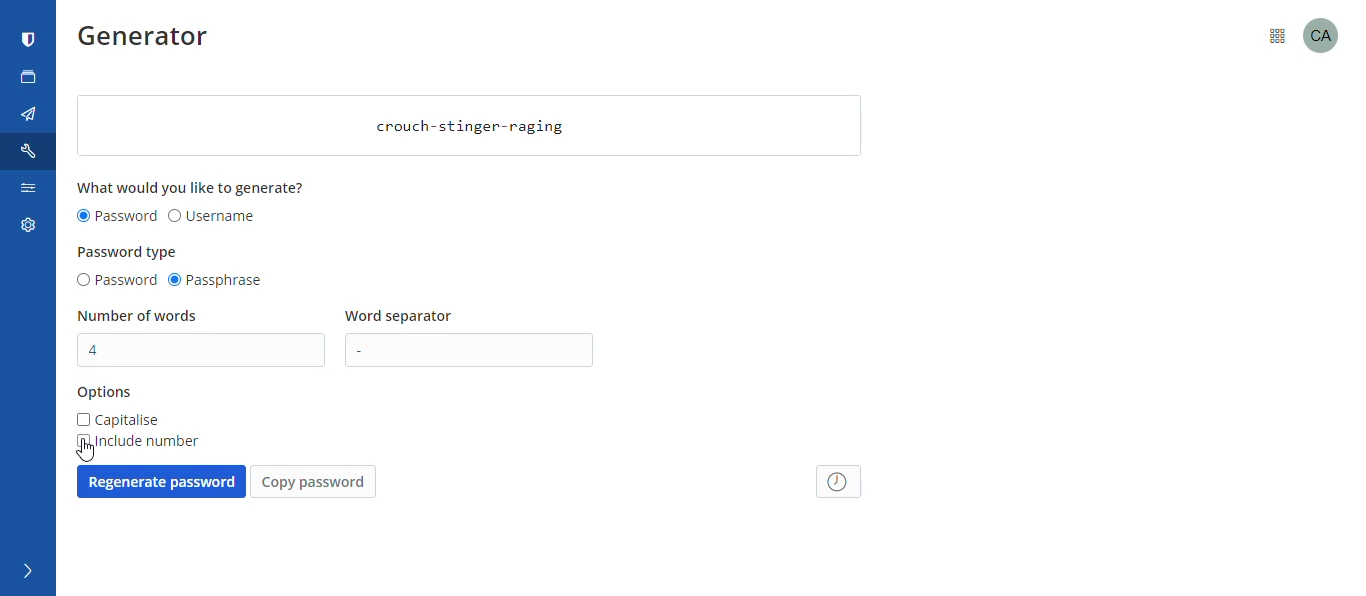  I want to click on copy password, so click(313, 482).